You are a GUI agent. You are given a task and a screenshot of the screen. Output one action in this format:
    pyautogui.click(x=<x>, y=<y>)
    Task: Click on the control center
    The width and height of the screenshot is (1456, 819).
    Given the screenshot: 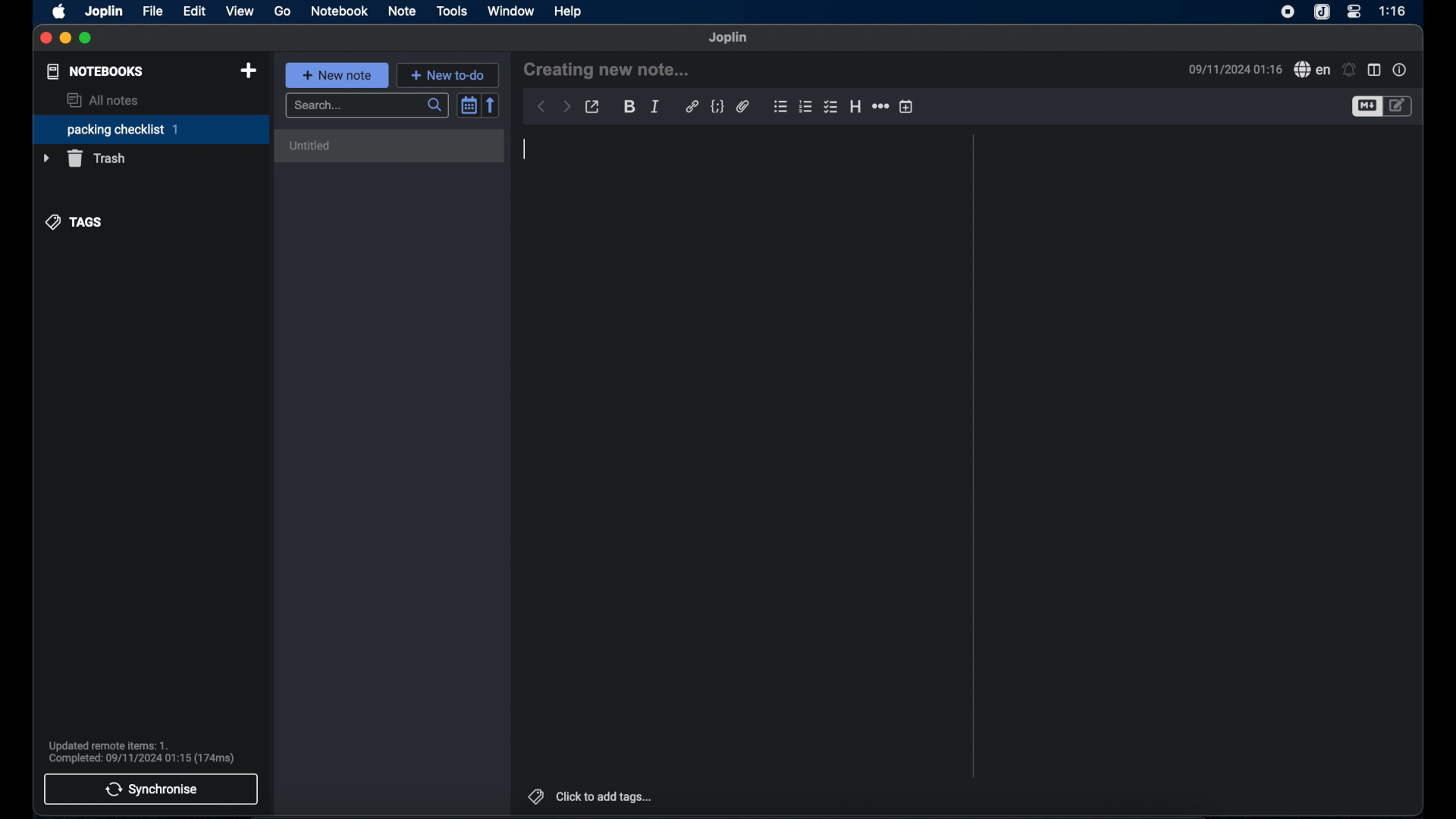 What is the action you would take?
    pyautogui.click(x=1355, y=11)
    